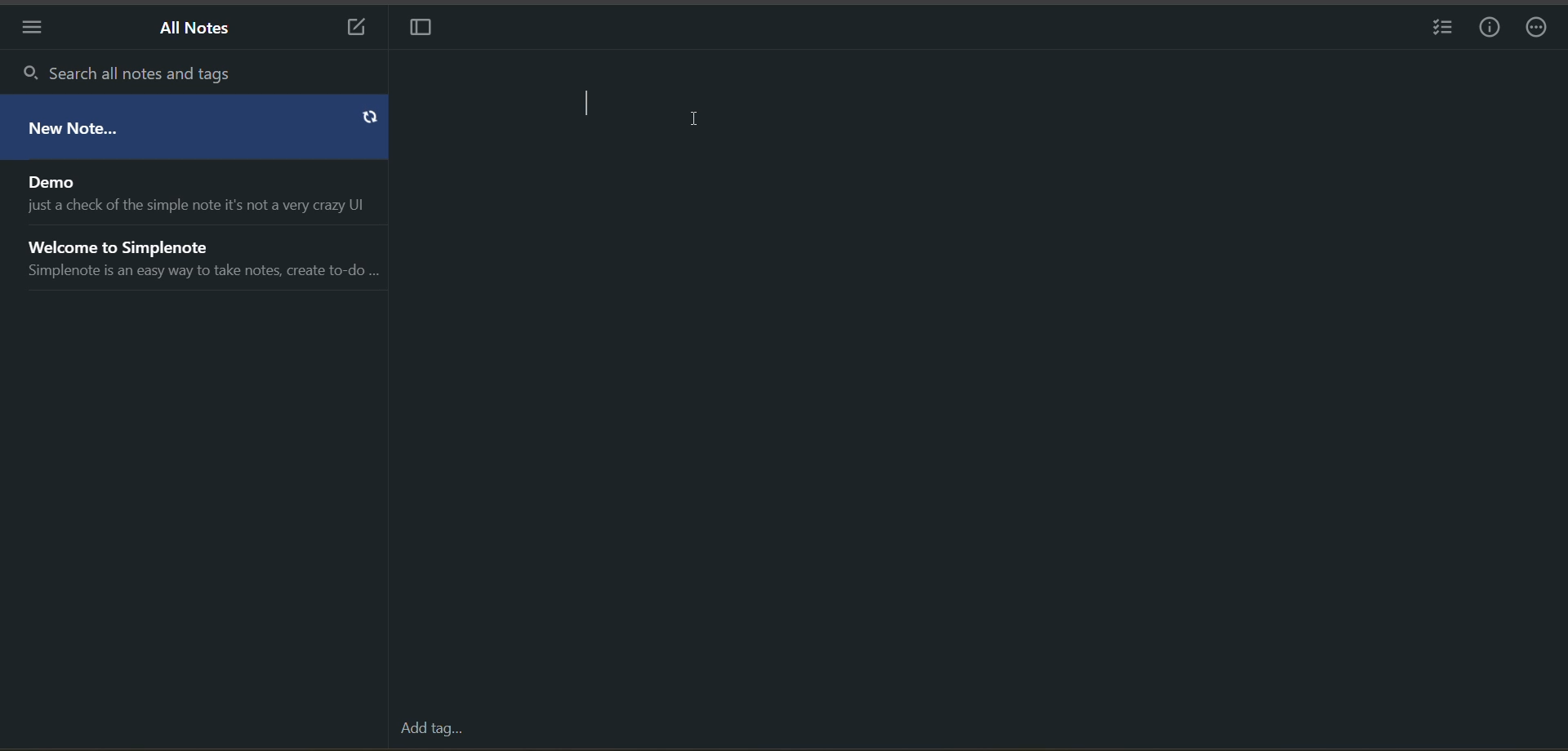  Describe the element at coordinates (1490, 30) in the screenshot. I see `info` at that location.